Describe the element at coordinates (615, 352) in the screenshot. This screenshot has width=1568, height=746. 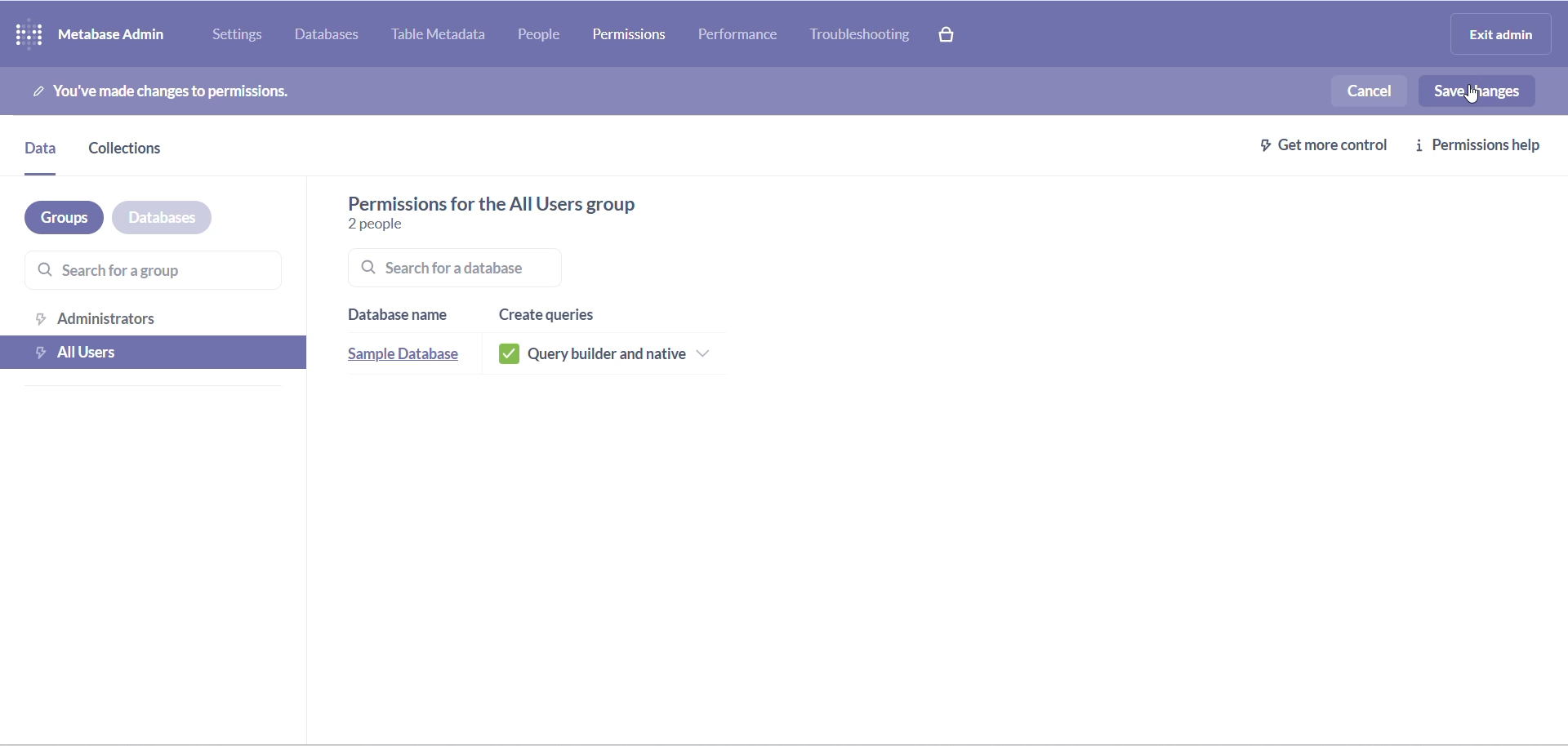
I see `query builder and native` at that location.